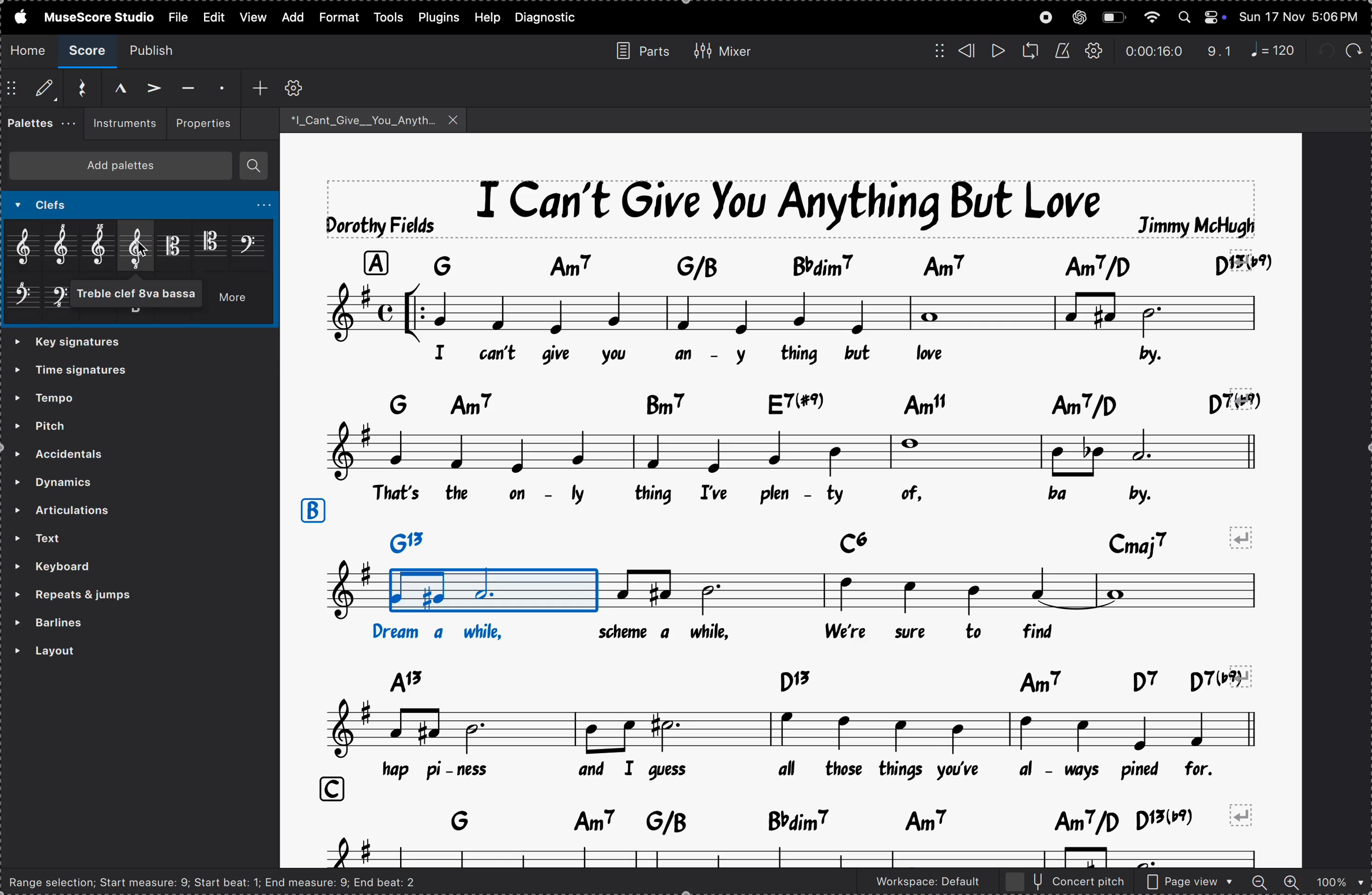  Describe the element at coordinates (1278, 50) in the screenshot. I see `note` at that location.